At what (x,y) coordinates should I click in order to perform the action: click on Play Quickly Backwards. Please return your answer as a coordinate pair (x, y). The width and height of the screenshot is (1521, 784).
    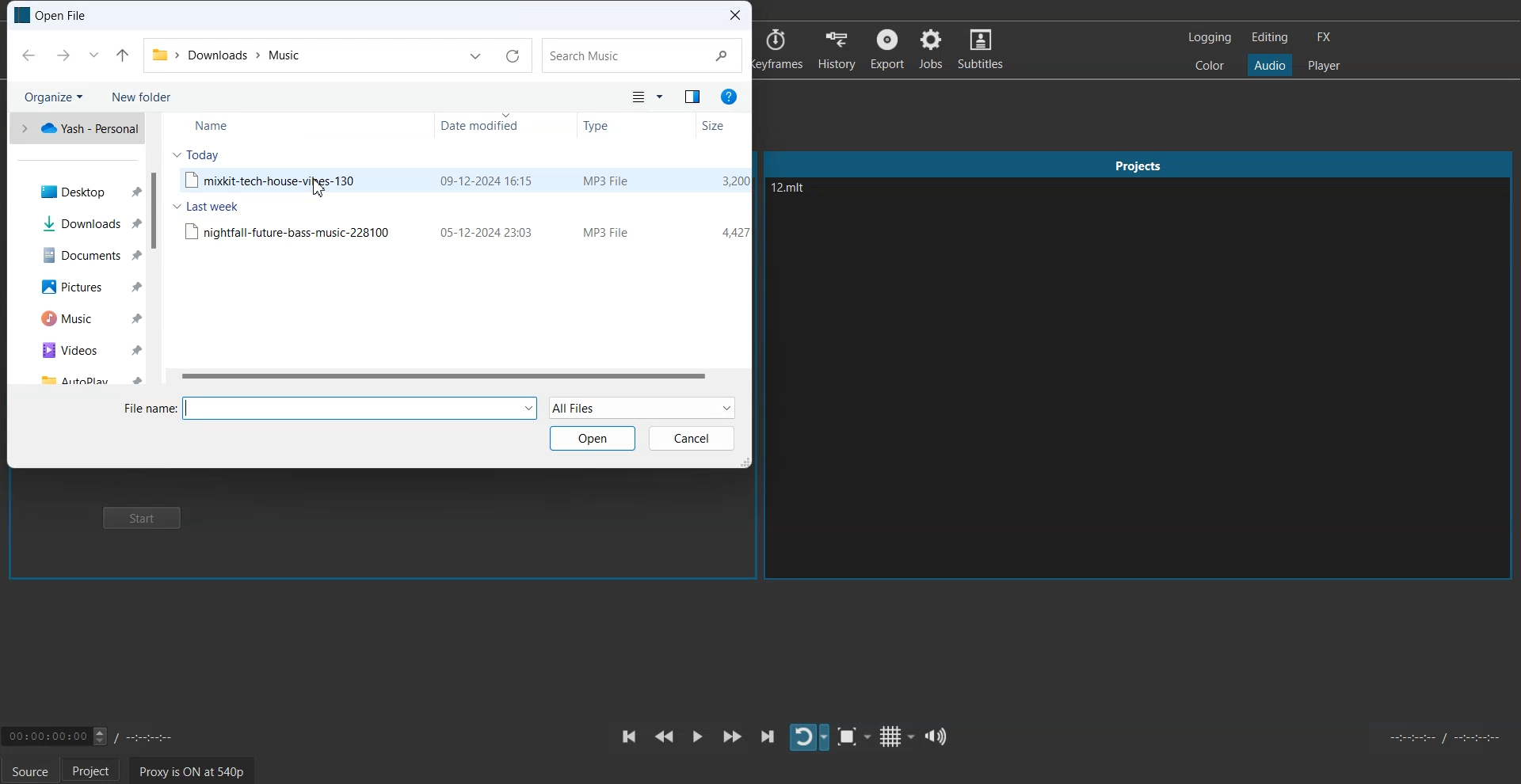
    Looking at the image, I should click on (664, 736).